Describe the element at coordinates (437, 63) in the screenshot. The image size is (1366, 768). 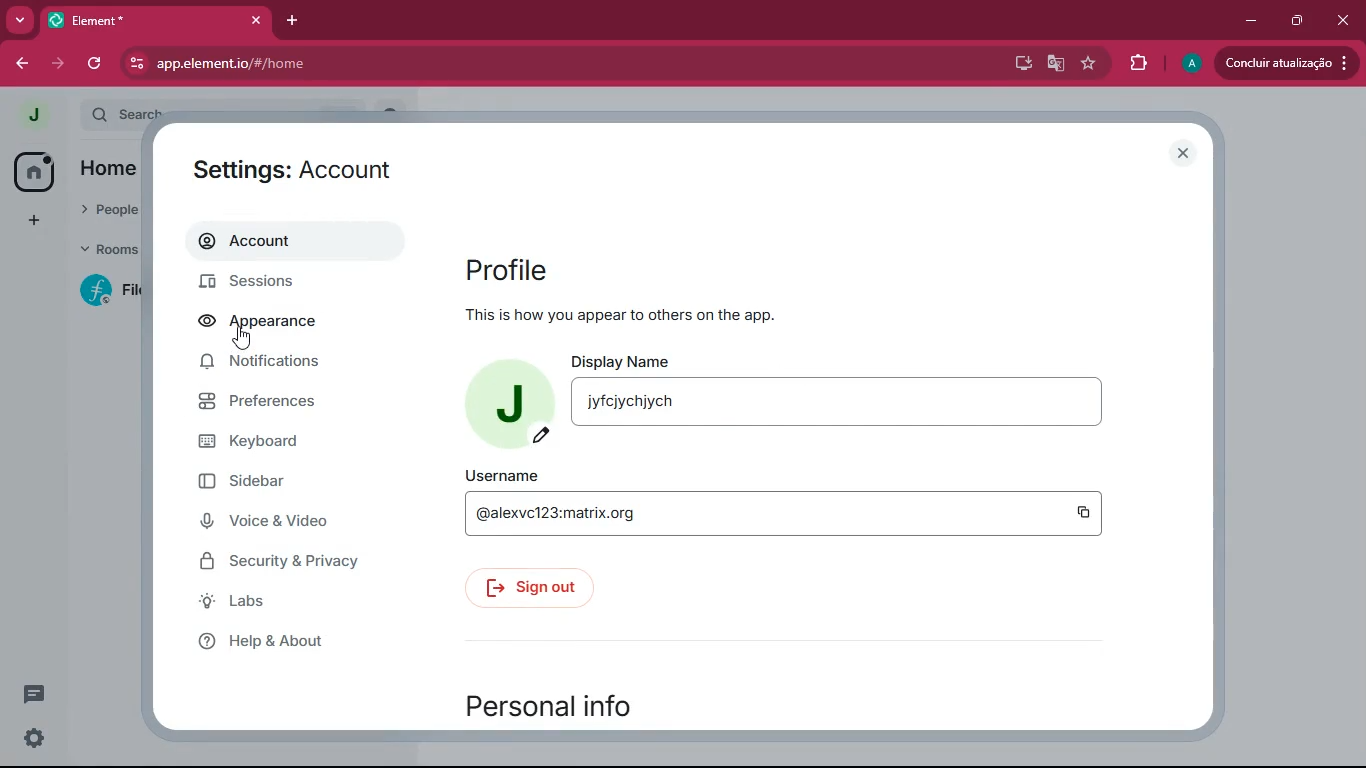
I see `app.elementio/#/home` at that location.